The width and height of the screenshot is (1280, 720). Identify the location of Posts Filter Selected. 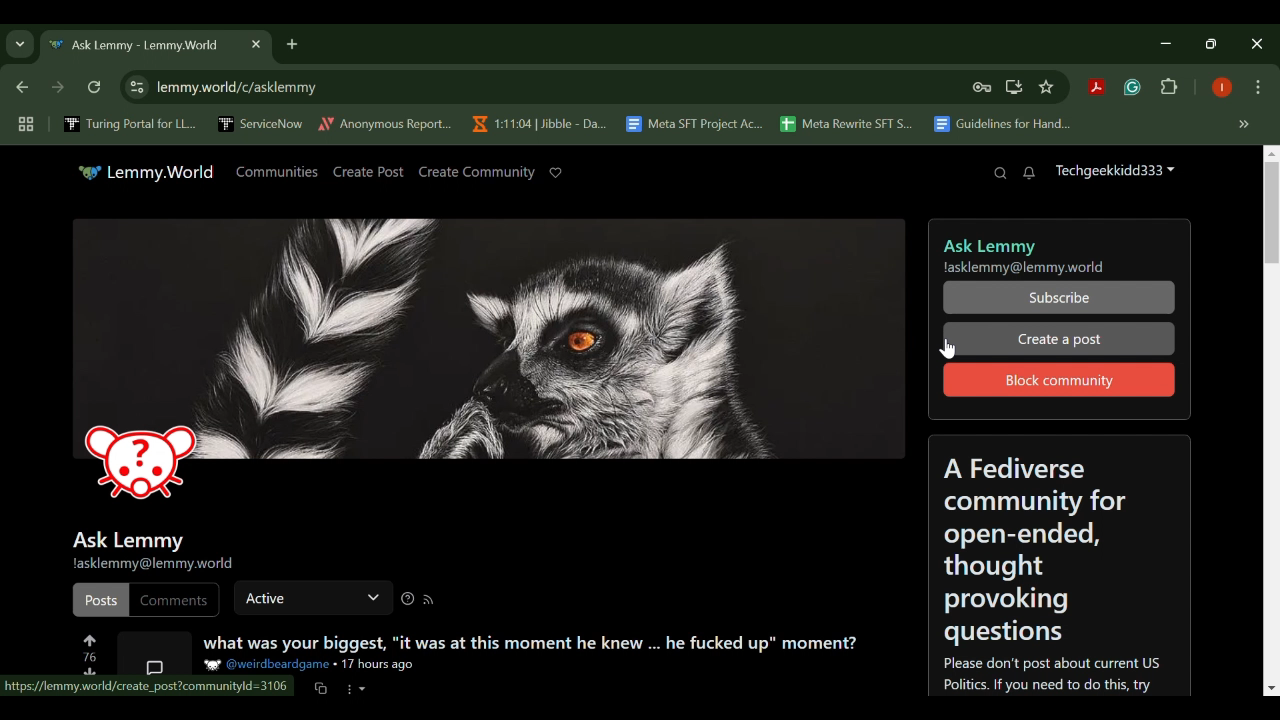
(100, 598).